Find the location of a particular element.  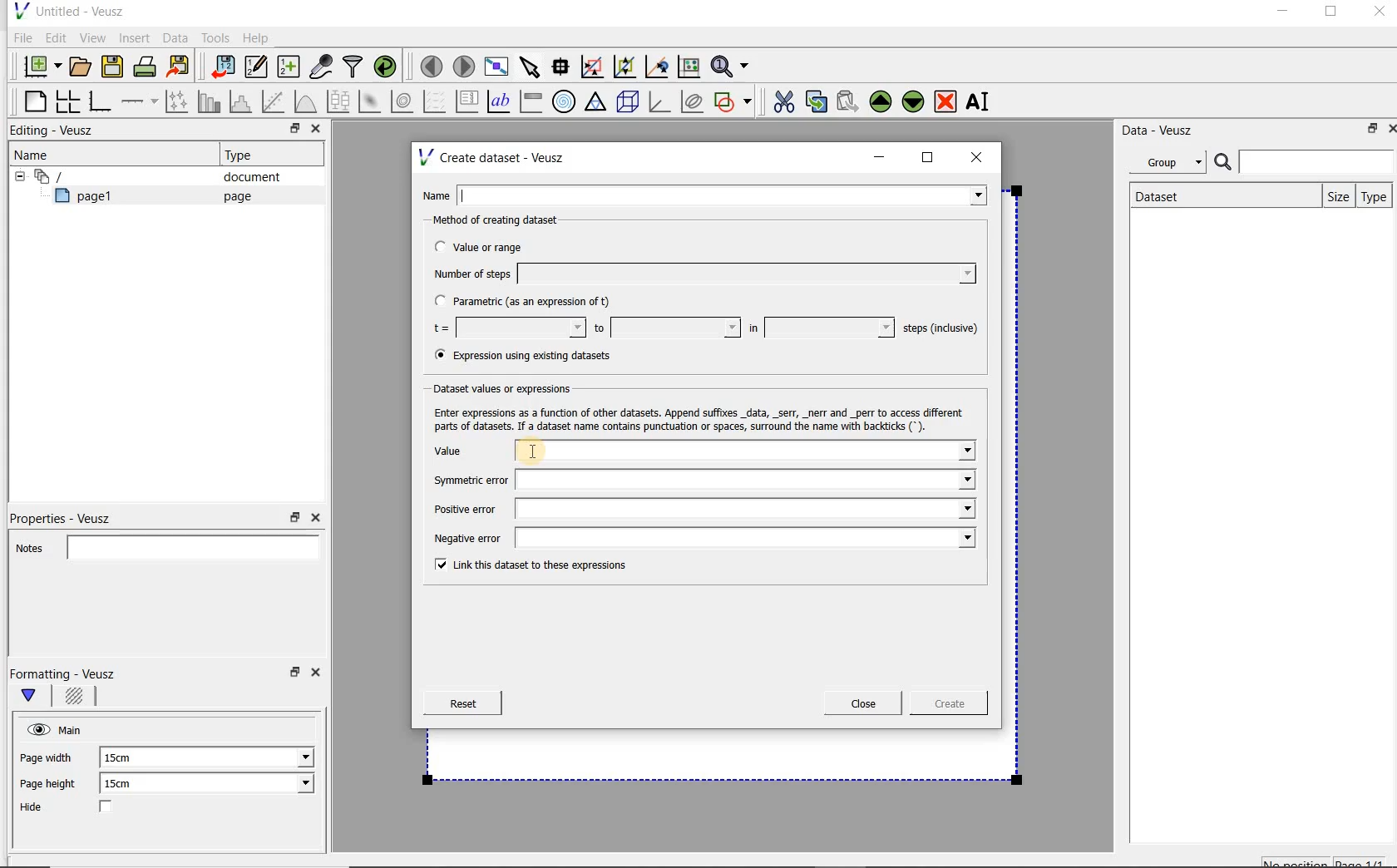

restore down is located at coordinates (290, 131).